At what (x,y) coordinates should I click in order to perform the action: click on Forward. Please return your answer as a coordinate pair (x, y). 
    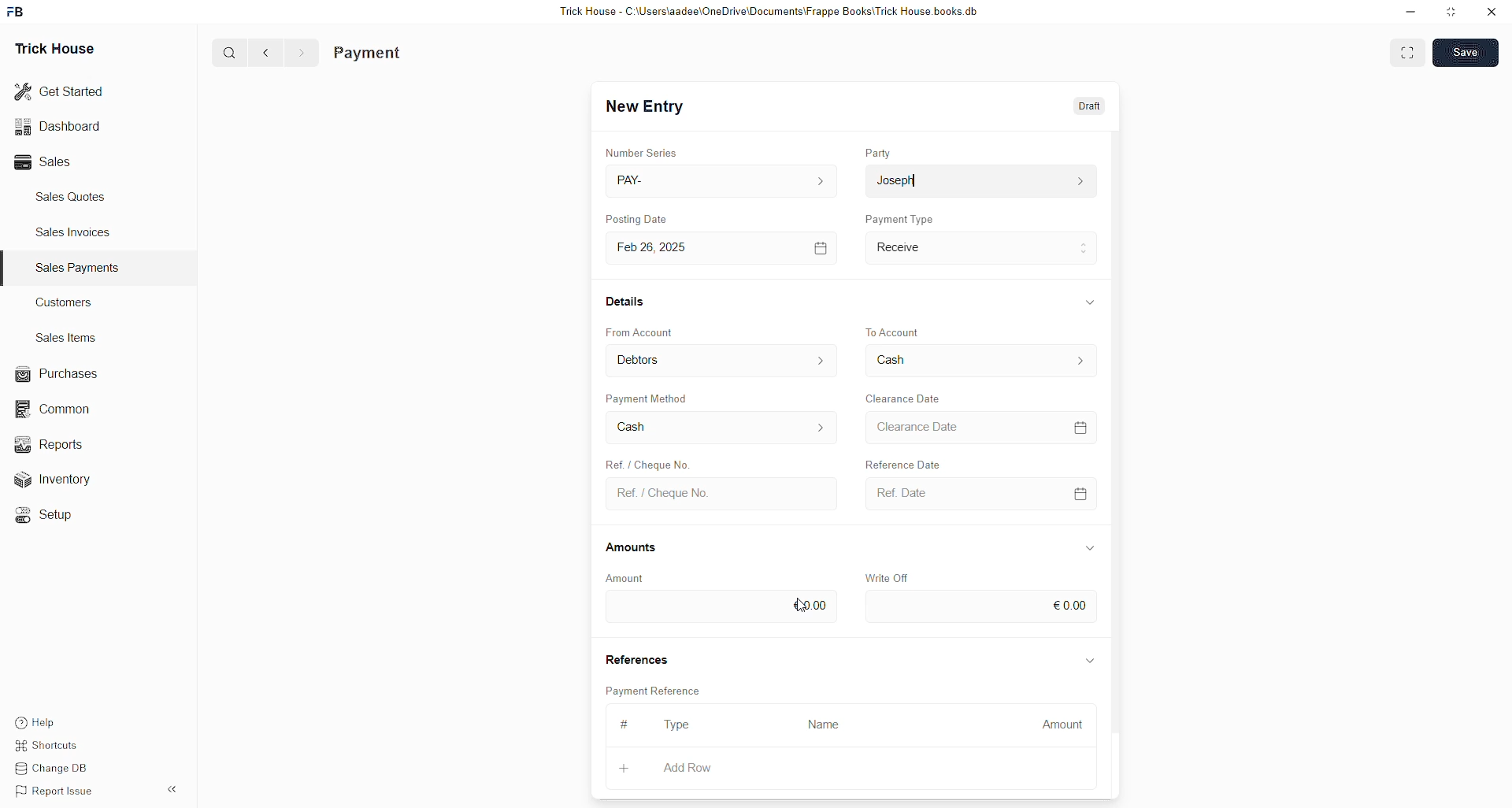
    Looking at the image, I should click on (302, 54).